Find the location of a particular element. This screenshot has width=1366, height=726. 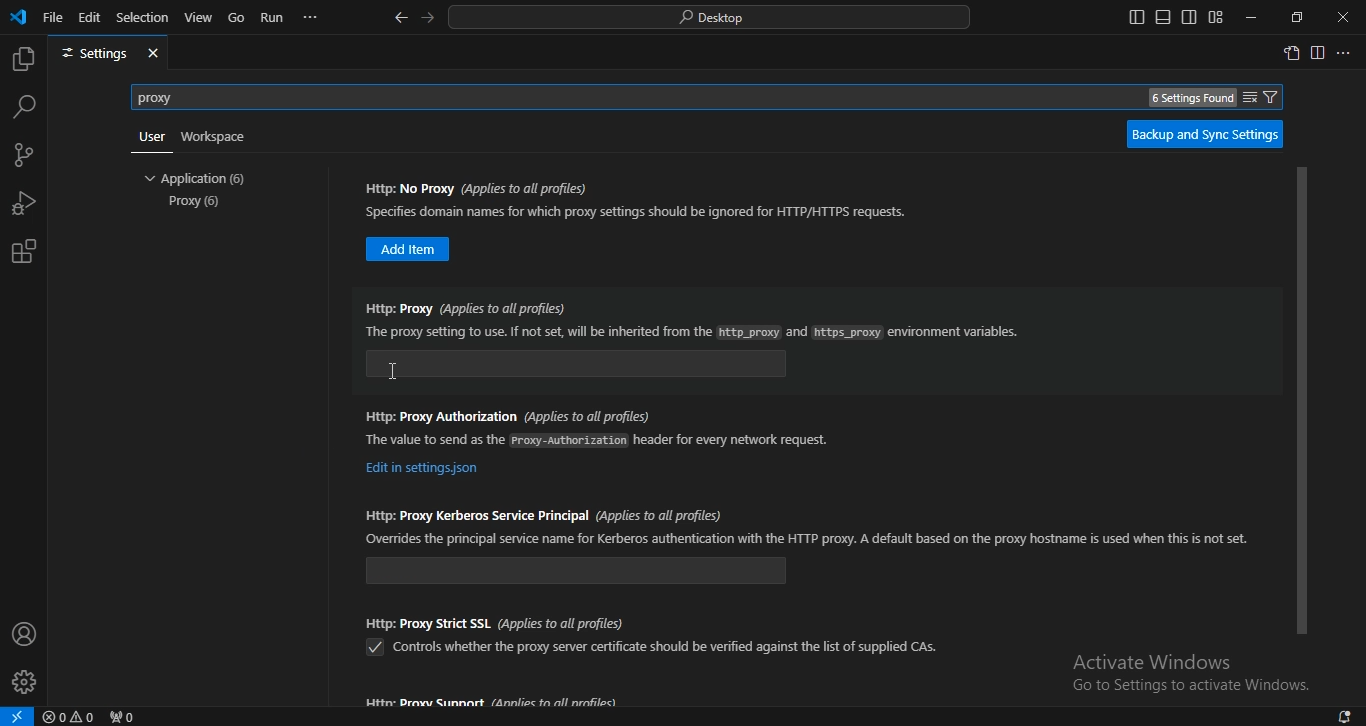

clear search settings is located at coordinates (1248, 95).